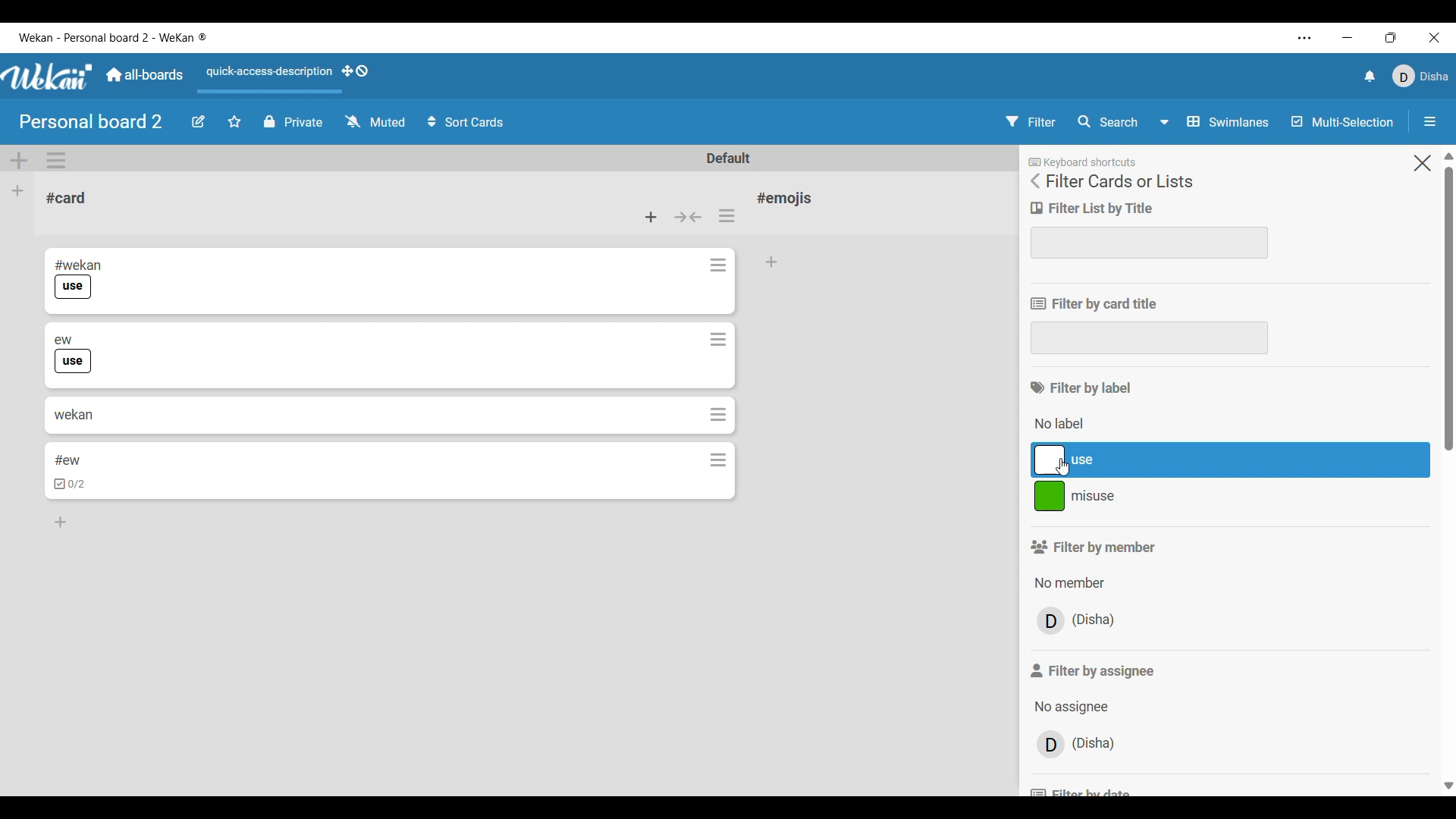 This screenshot has width=1456, height=819. Describe the element at coordinates (1435, 37) in the screenshot. I see `Close interface ` at that location.